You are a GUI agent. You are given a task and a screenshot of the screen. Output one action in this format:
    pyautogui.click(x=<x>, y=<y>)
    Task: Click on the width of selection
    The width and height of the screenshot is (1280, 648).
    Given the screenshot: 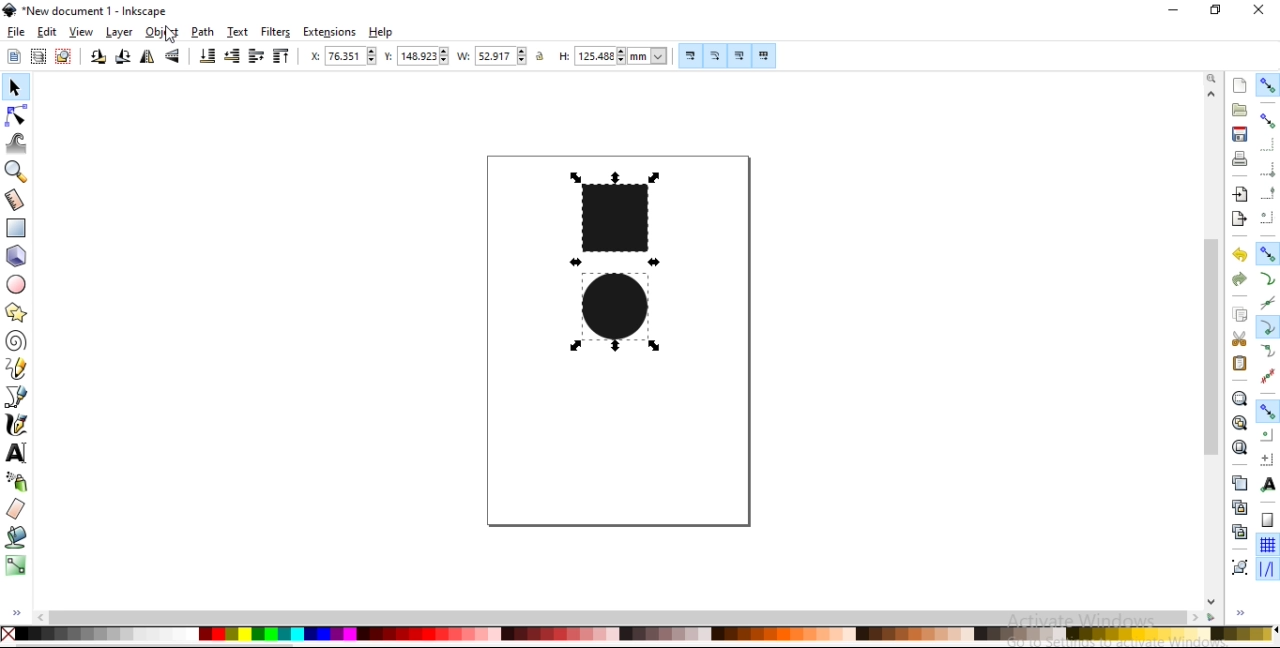 What is the action you would take?
    pyautogui.click(x=494, y=56)
    